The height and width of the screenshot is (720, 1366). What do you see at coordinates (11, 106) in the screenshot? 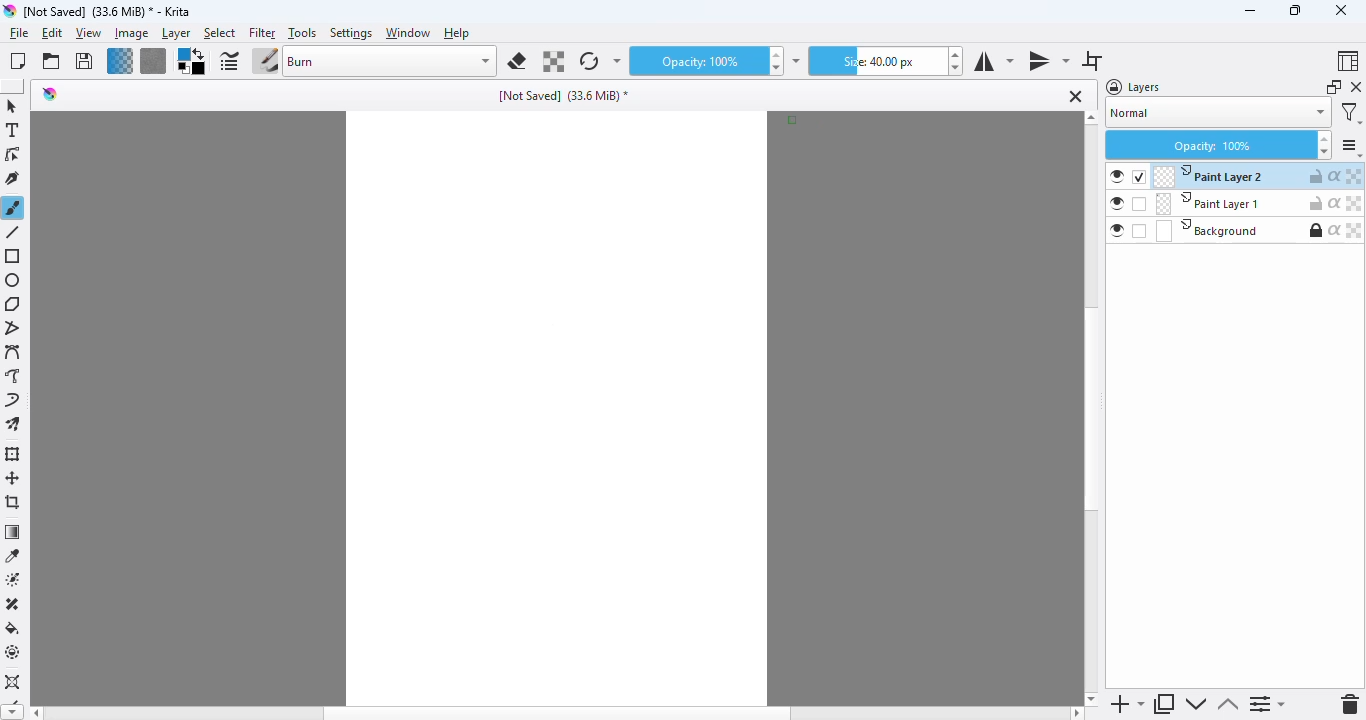
I see `select shapes tool` at bounding box center [11, 106].